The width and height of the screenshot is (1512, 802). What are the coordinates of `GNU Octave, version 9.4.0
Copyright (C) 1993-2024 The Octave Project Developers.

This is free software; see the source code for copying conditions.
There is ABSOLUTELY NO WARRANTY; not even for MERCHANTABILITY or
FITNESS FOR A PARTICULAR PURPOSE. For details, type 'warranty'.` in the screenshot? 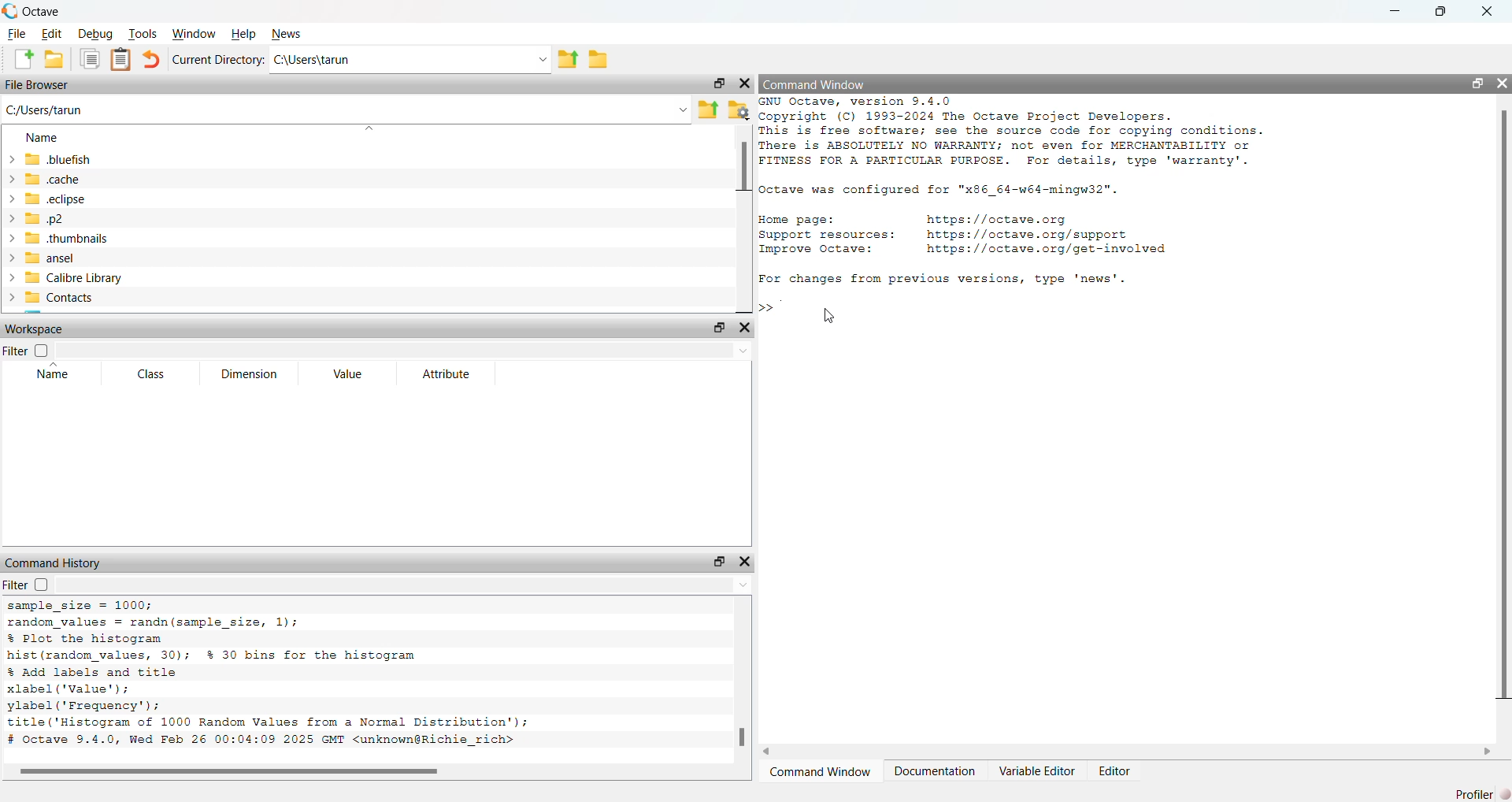 It's located at (1013, 133).